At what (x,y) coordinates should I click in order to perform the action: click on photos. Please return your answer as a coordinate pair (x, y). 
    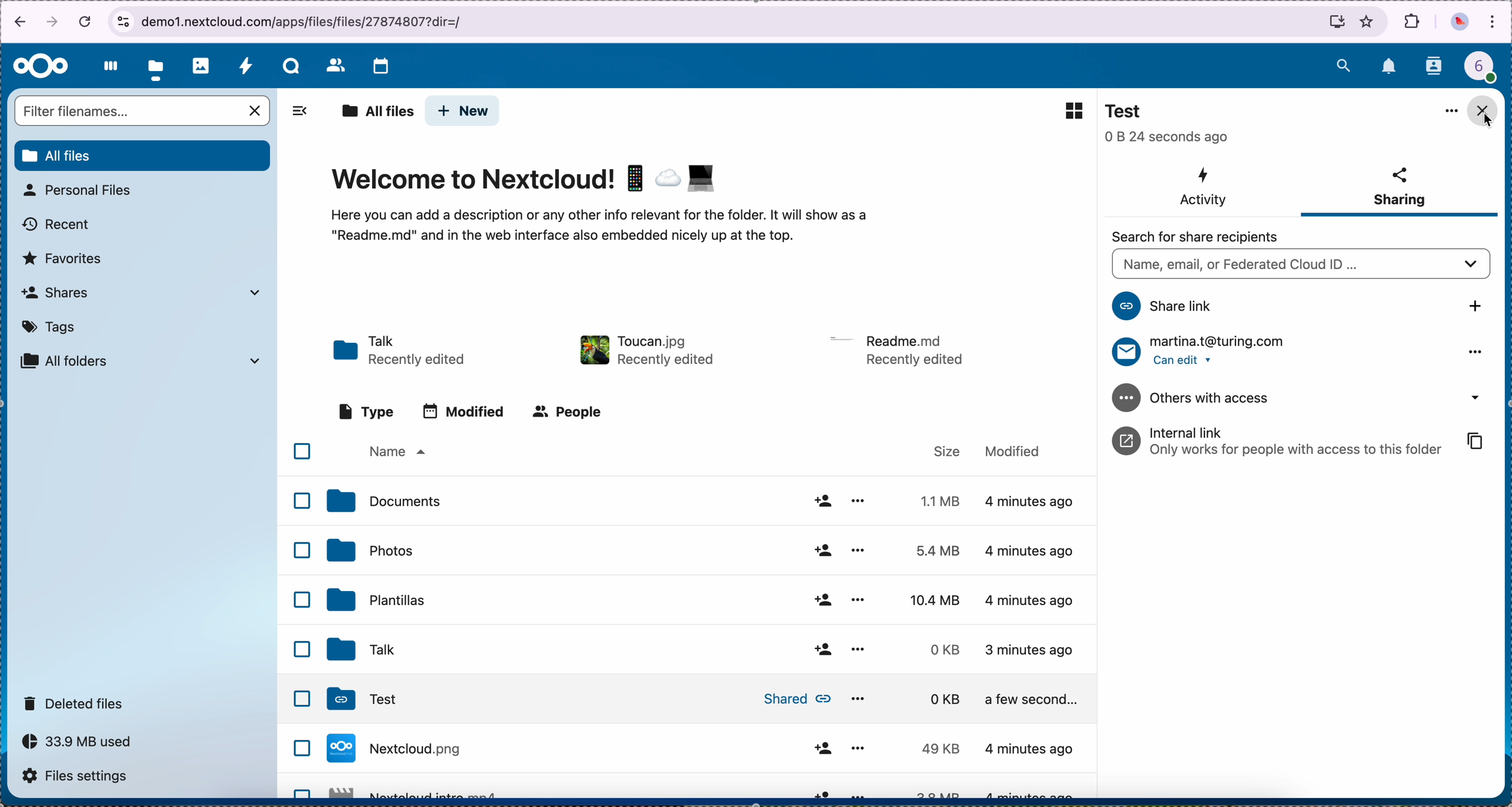
    Looking at the image, I should click on (201, 66).